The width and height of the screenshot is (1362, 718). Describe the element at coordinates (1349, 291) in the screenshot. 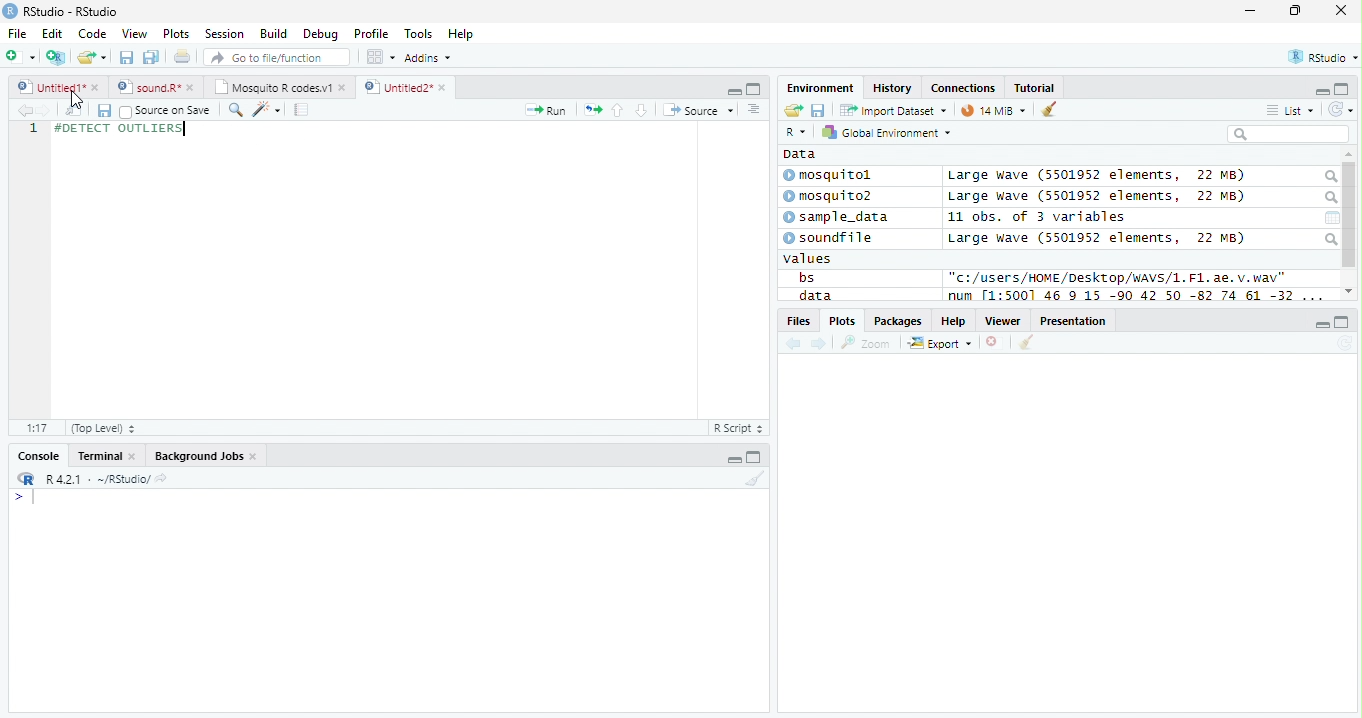

I see `scroll down` at that location.